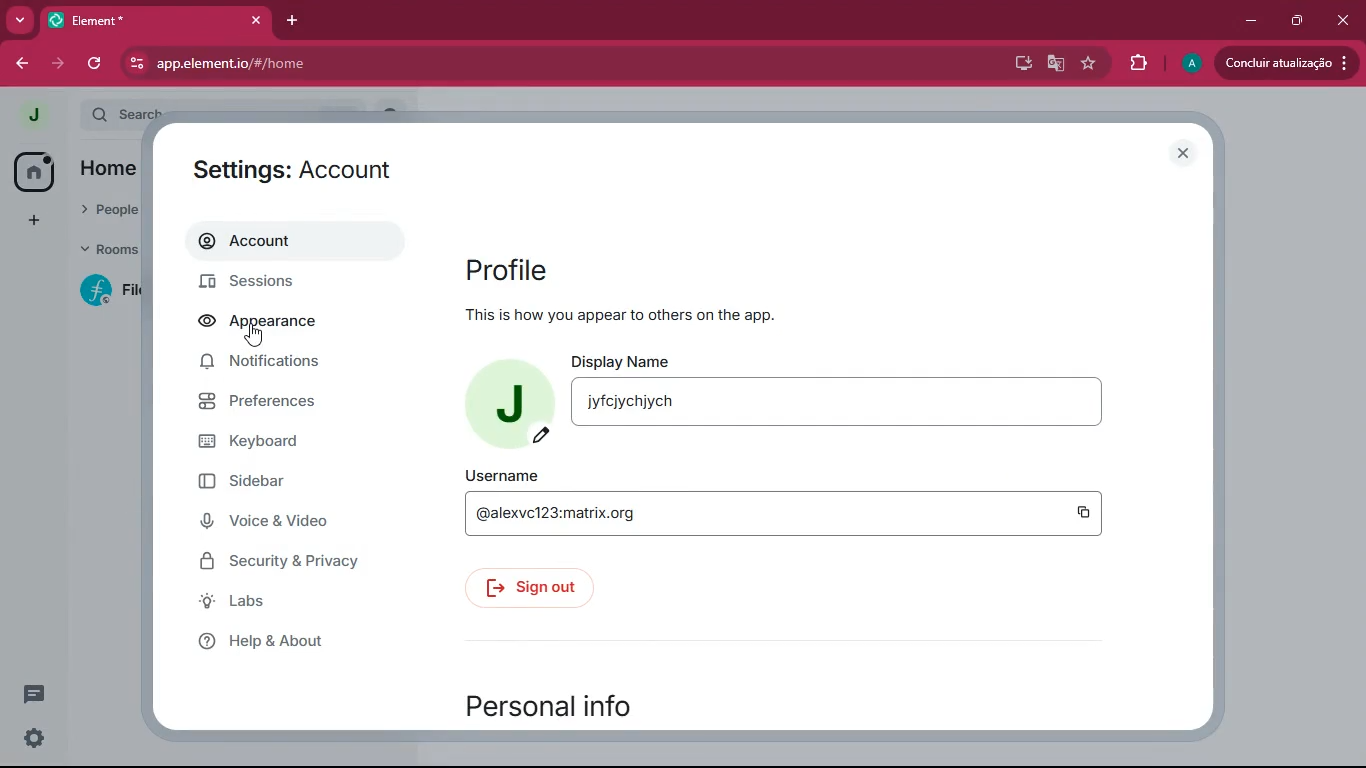 This screenshot has height=768, width=1366. What do you see at coordinates (295, 561) in the screenshot?
I see `security & privacy` at bounding box center [295, 561].